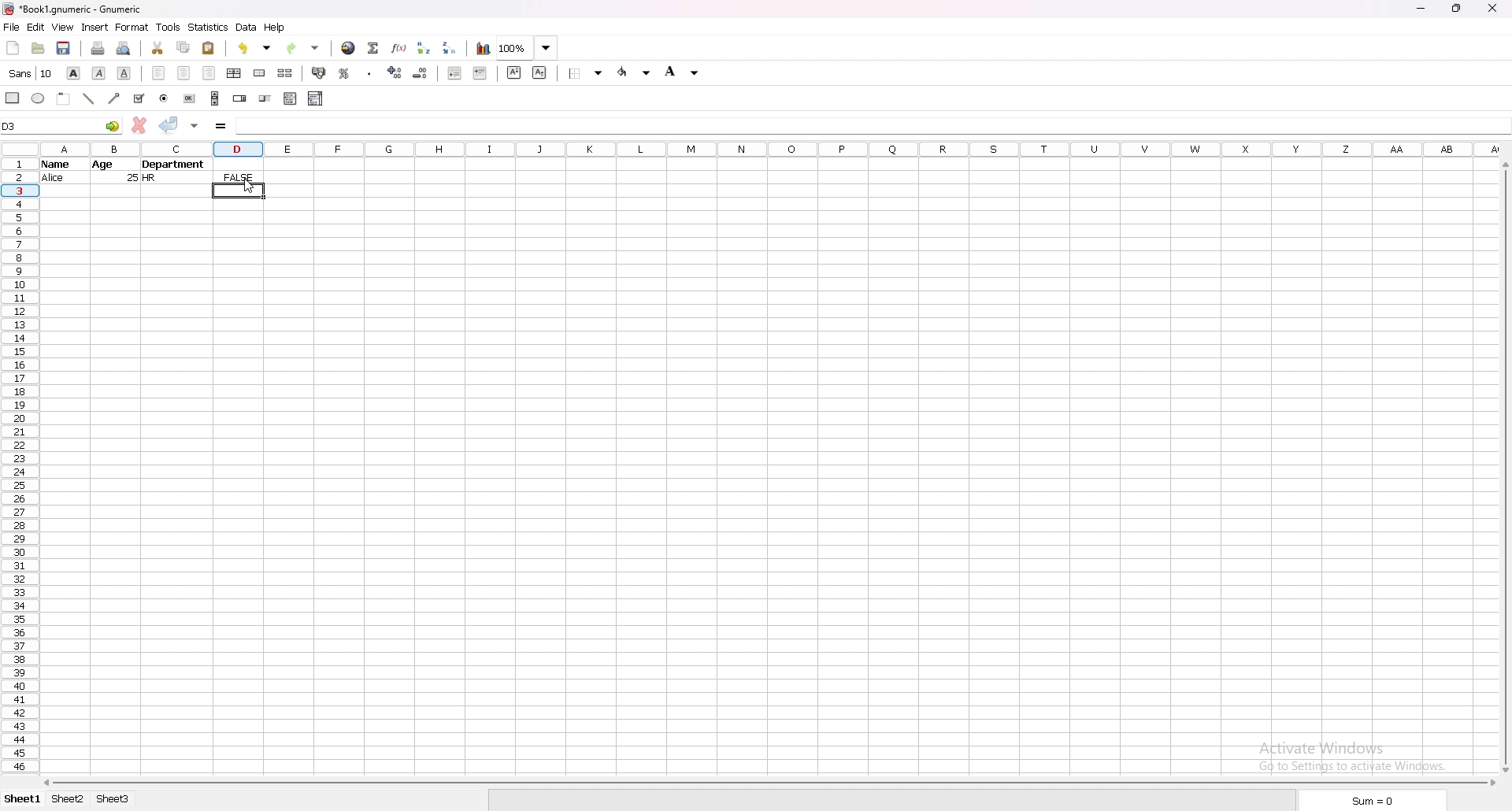 The image size is (1512, 811). Describe the element at coordinates (454, 73) in the screenshot. I see `decrease indent` at that location.